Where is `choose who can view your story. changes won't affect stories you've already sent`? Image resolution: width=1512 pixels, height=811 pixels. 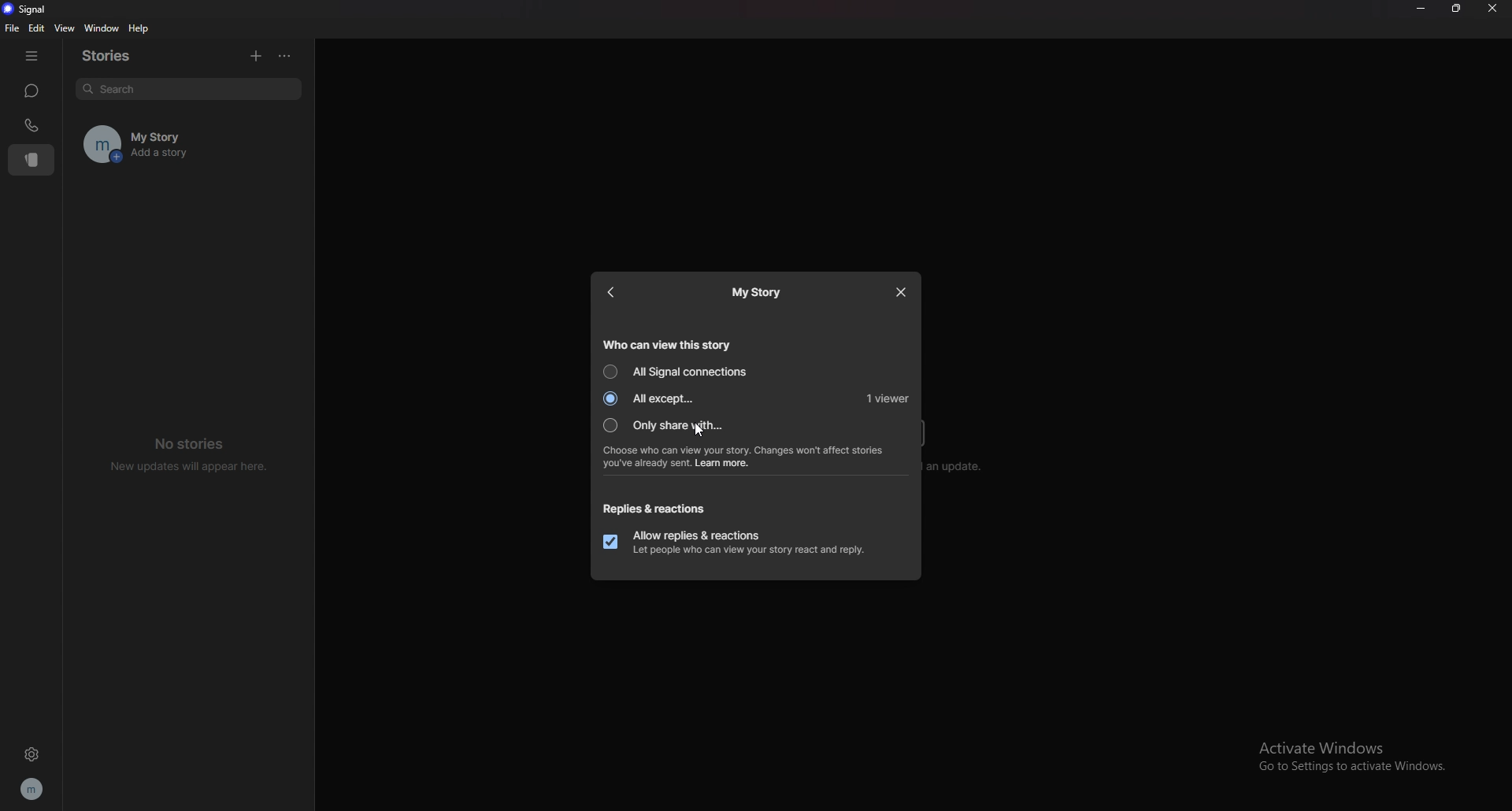 choose who can view your story. changes won't affect stories you've already sent is located at coordinates (745, 456).